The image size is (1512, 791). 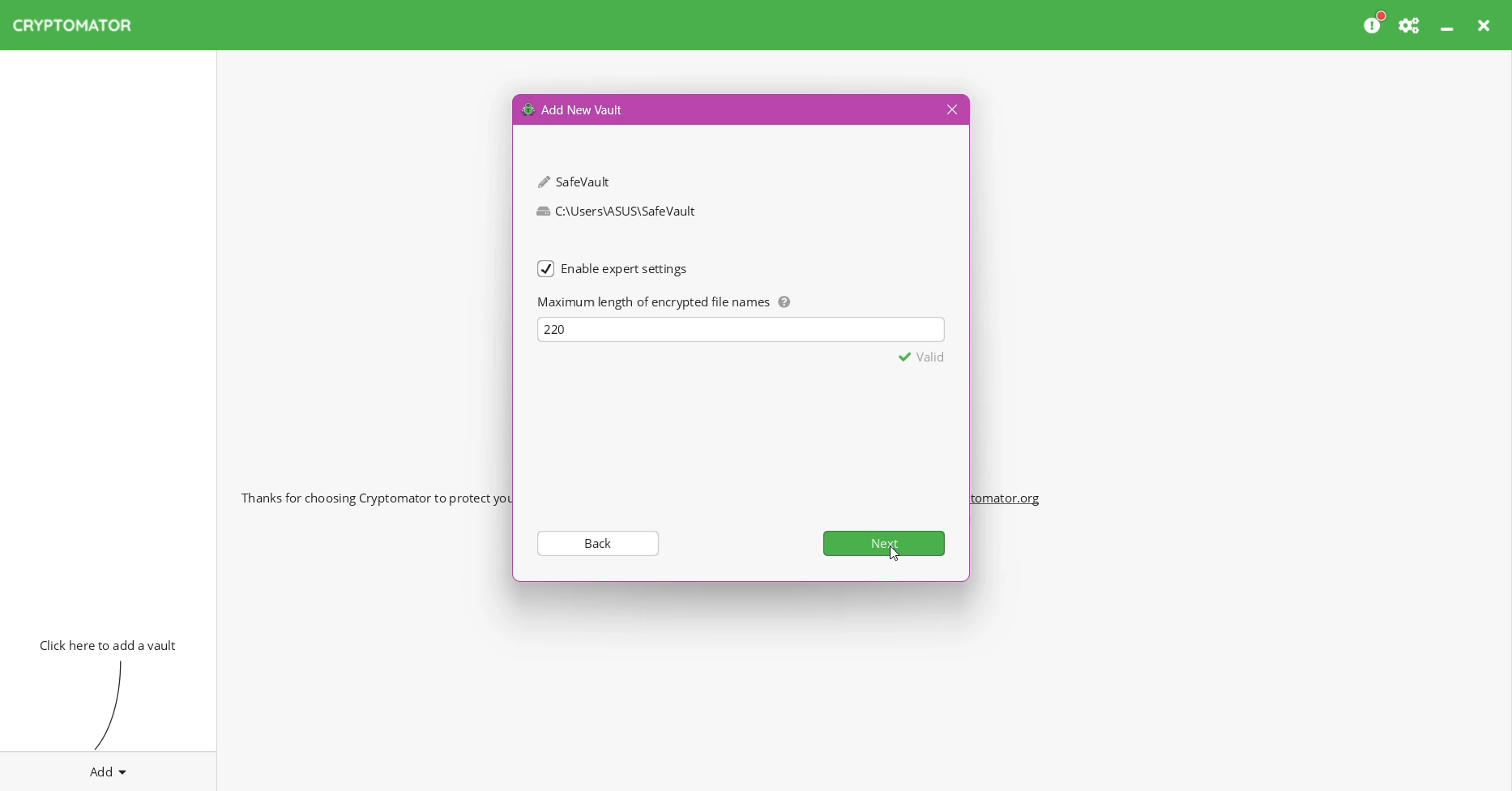 What do you see at coordinates (596, 542) in the screenshot?
I see `Back` at bounding box center [596, 542].